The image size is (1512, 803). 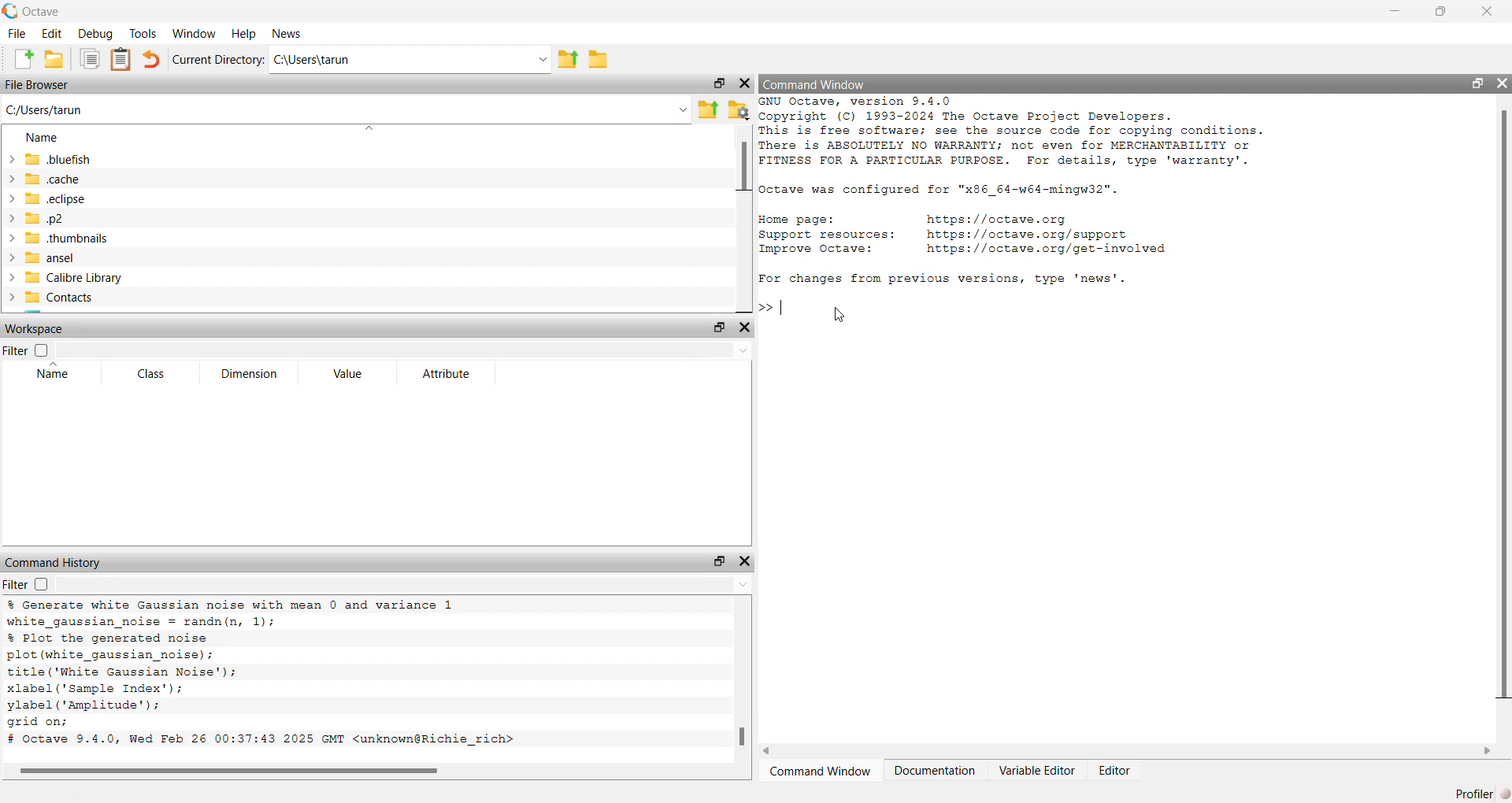 What do you see at coordinates (9, 11) in the screenshot?
I see `octave logo` at bounding box center [9, 11].